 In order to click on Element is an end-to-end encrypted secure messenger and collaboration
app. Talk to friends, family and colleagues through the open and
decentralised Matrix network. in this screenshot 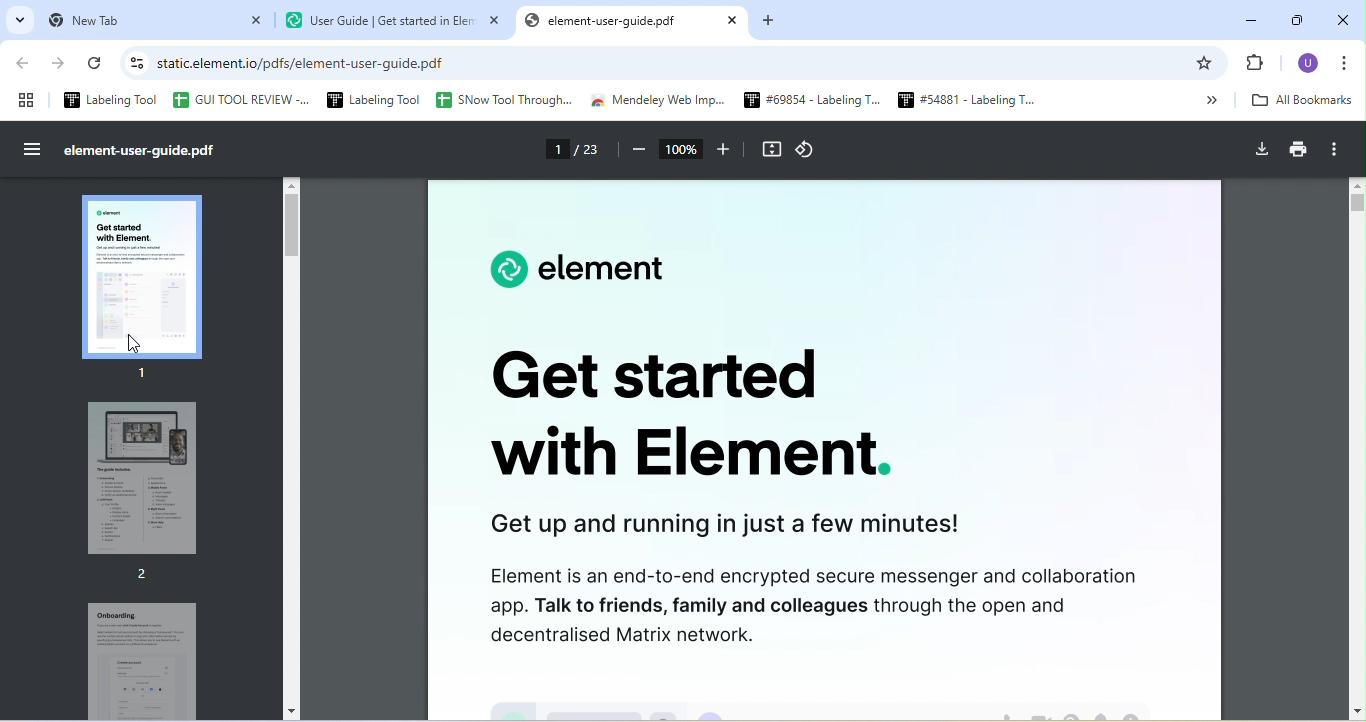, I will do `click(803, 606)`.